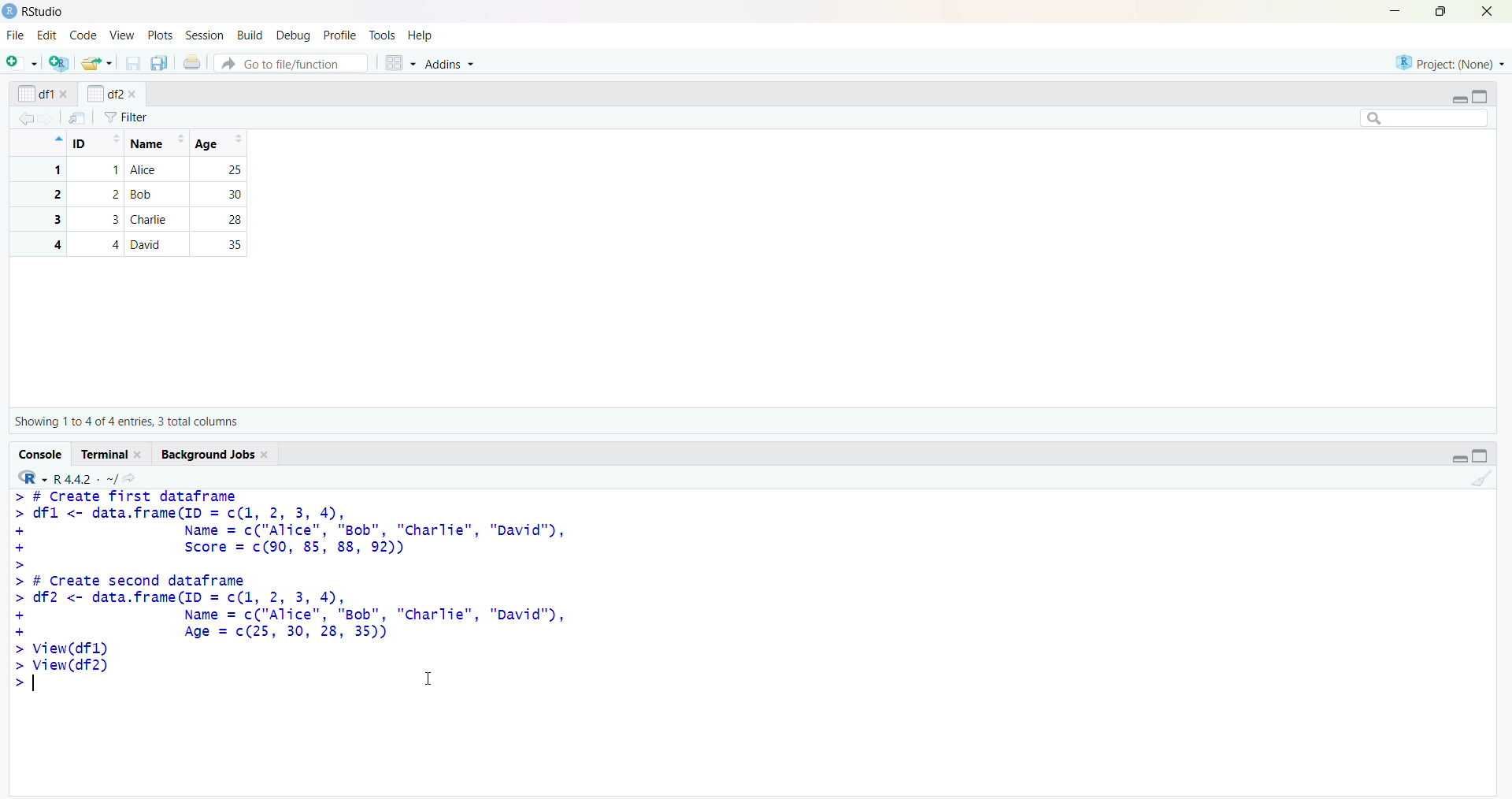 The image size is (1512, 799). Describe the element at coordinates (47, 35) in the screenshot. I see `edit` at that location.